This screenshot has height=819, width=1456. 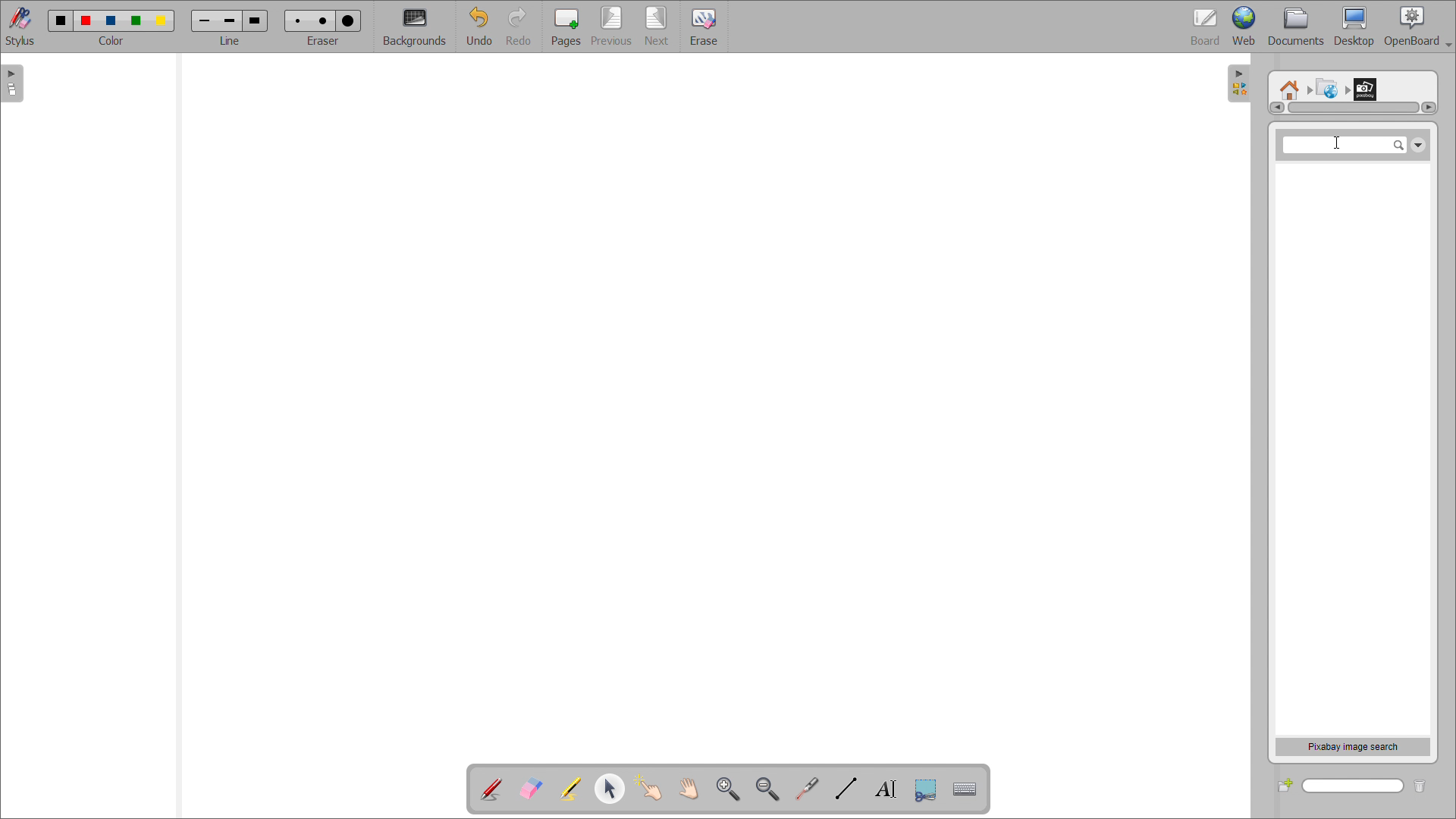 What do you see at coordinates (1354, 786) in the screenshot?
I see `search` at bounding box center [1354, 786].